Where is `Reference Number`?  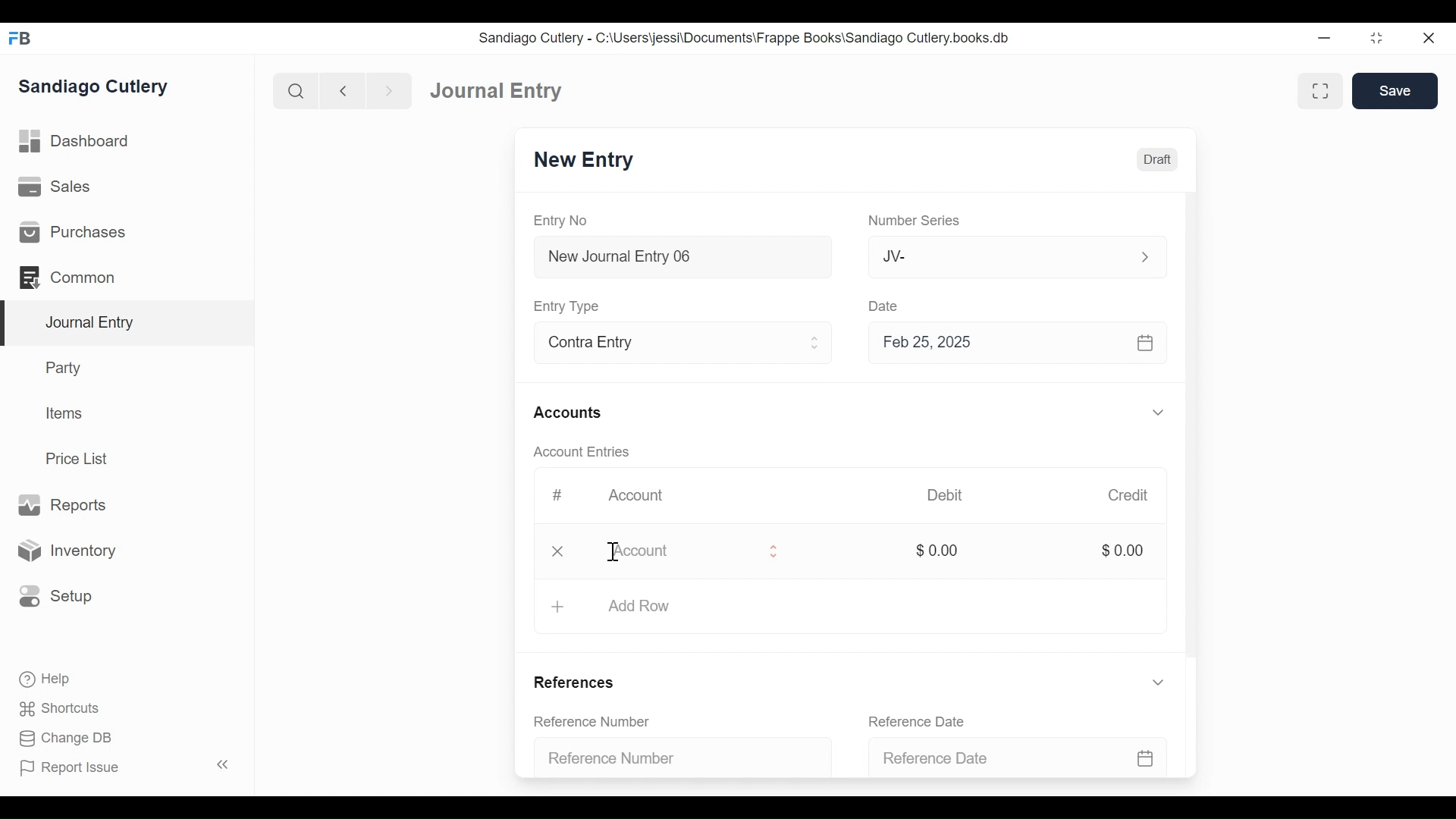 Reference Number is located at coordinates (601, 723).